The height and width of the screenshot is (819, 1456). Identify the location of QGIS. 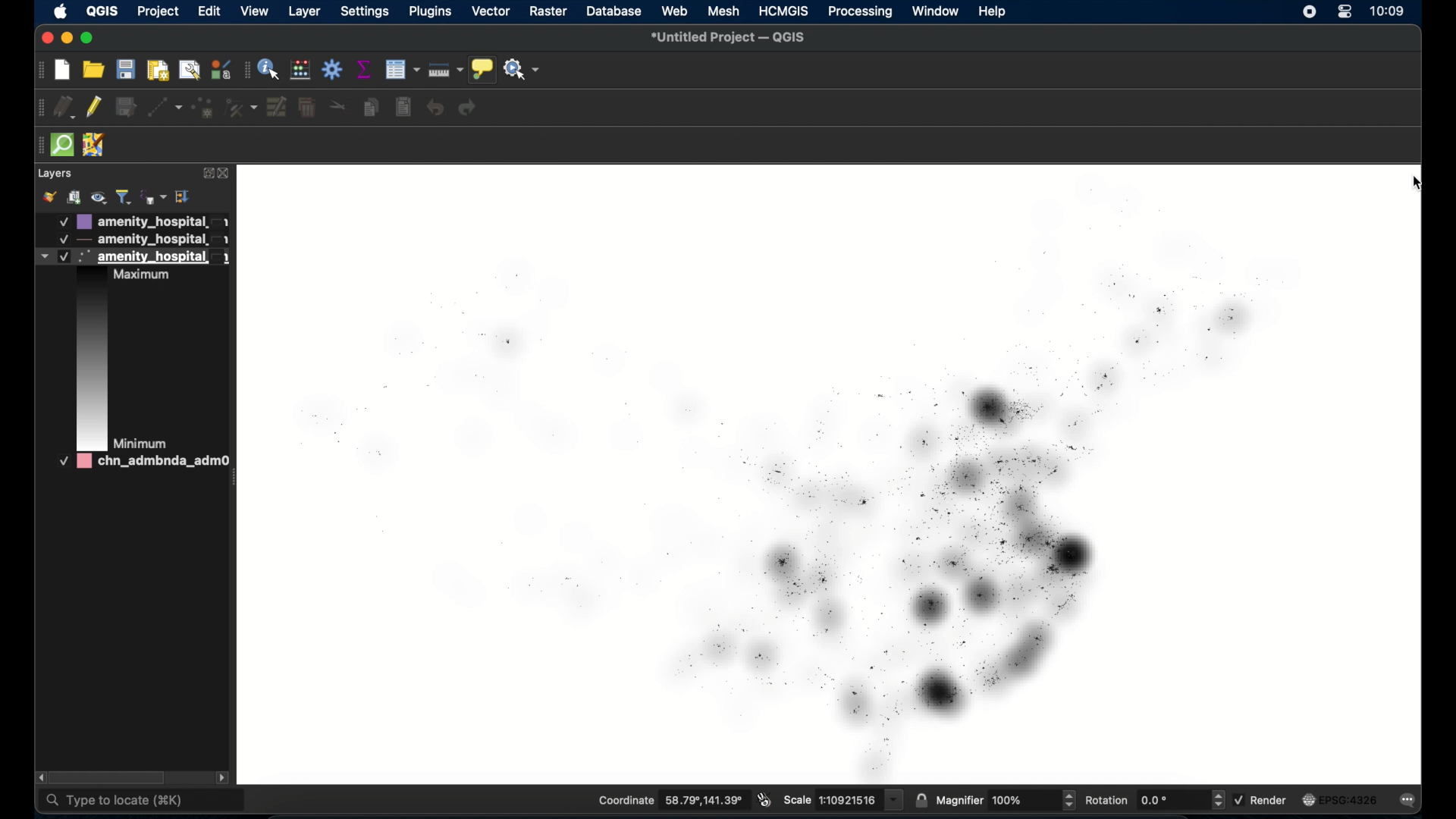
(102, 11).